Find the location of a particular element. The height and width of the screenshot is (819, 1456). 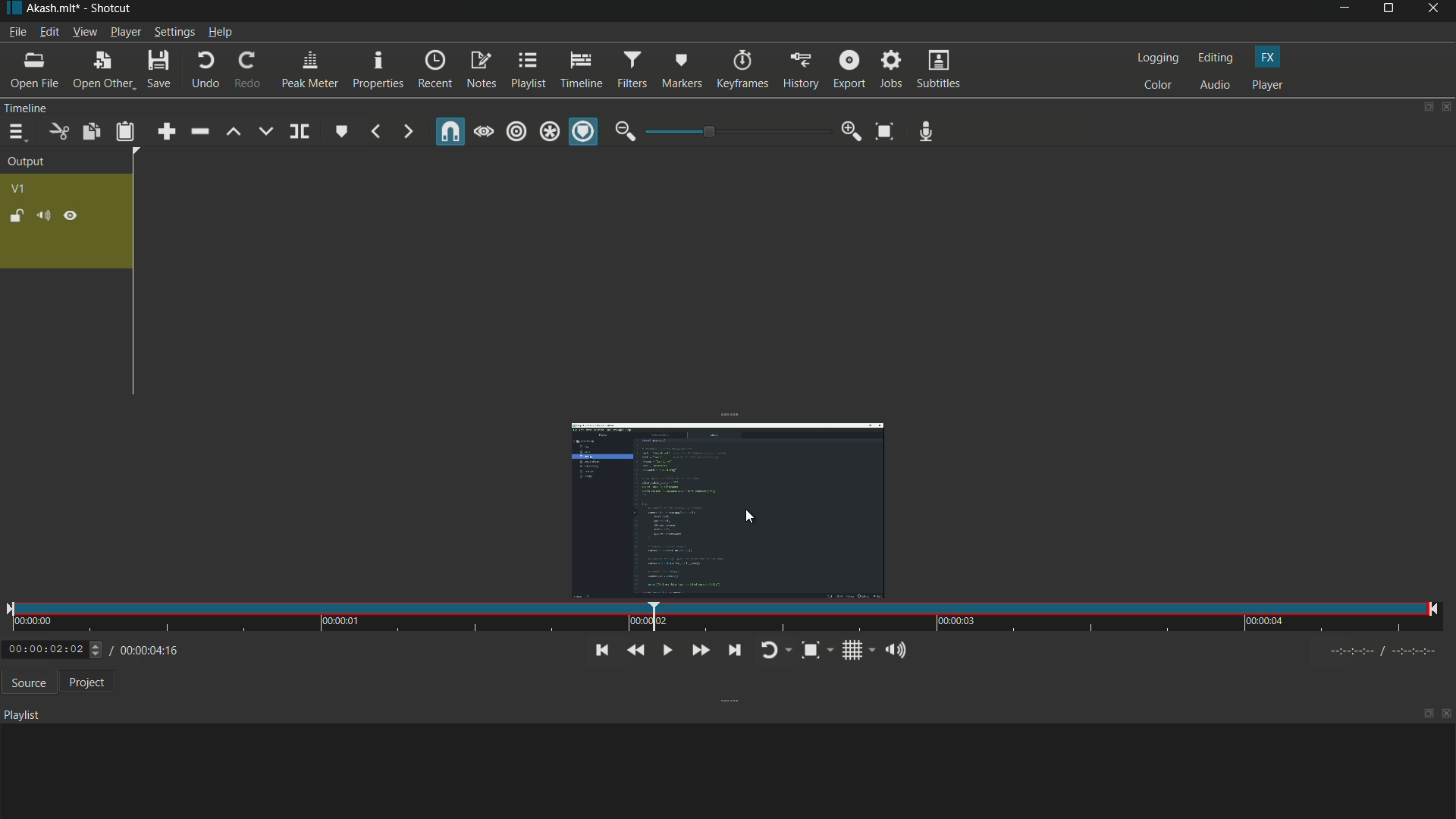

quickly play forward is located at coordinates (698, 651).